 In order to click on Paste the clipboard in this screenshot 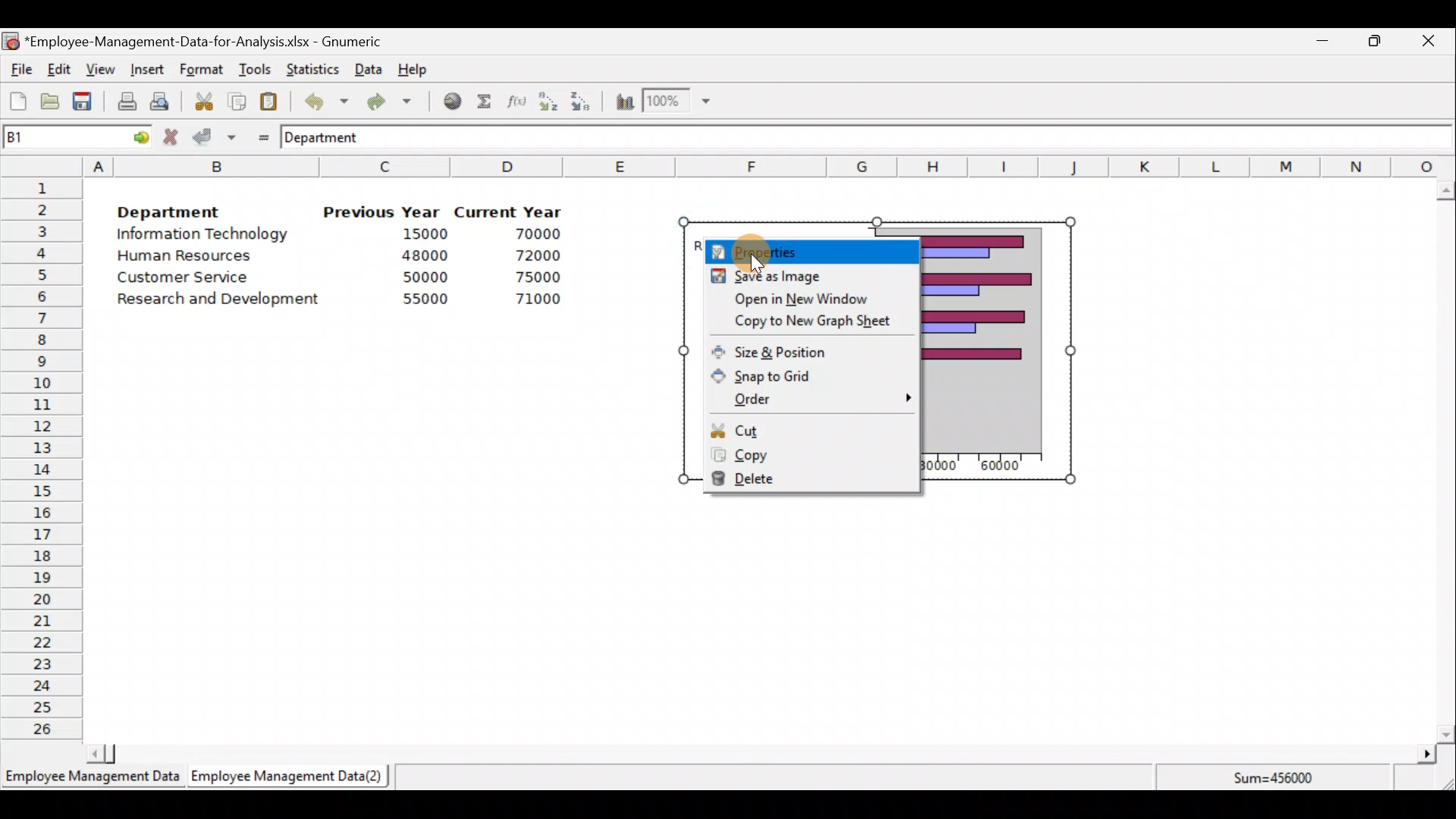, I will do `click(268, 101)`.